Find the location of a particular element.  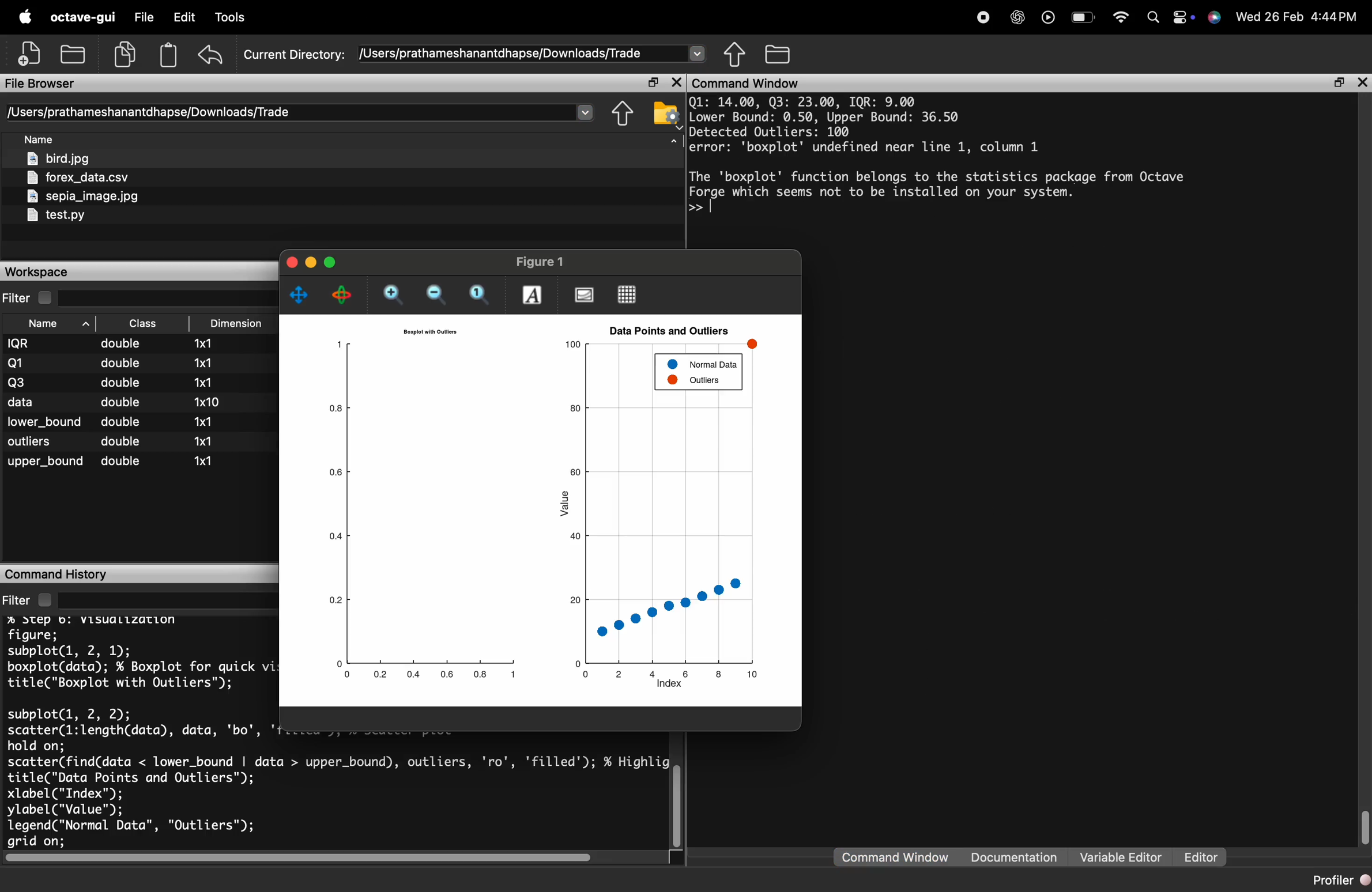

folder settings is located at coordinates (666, 114).